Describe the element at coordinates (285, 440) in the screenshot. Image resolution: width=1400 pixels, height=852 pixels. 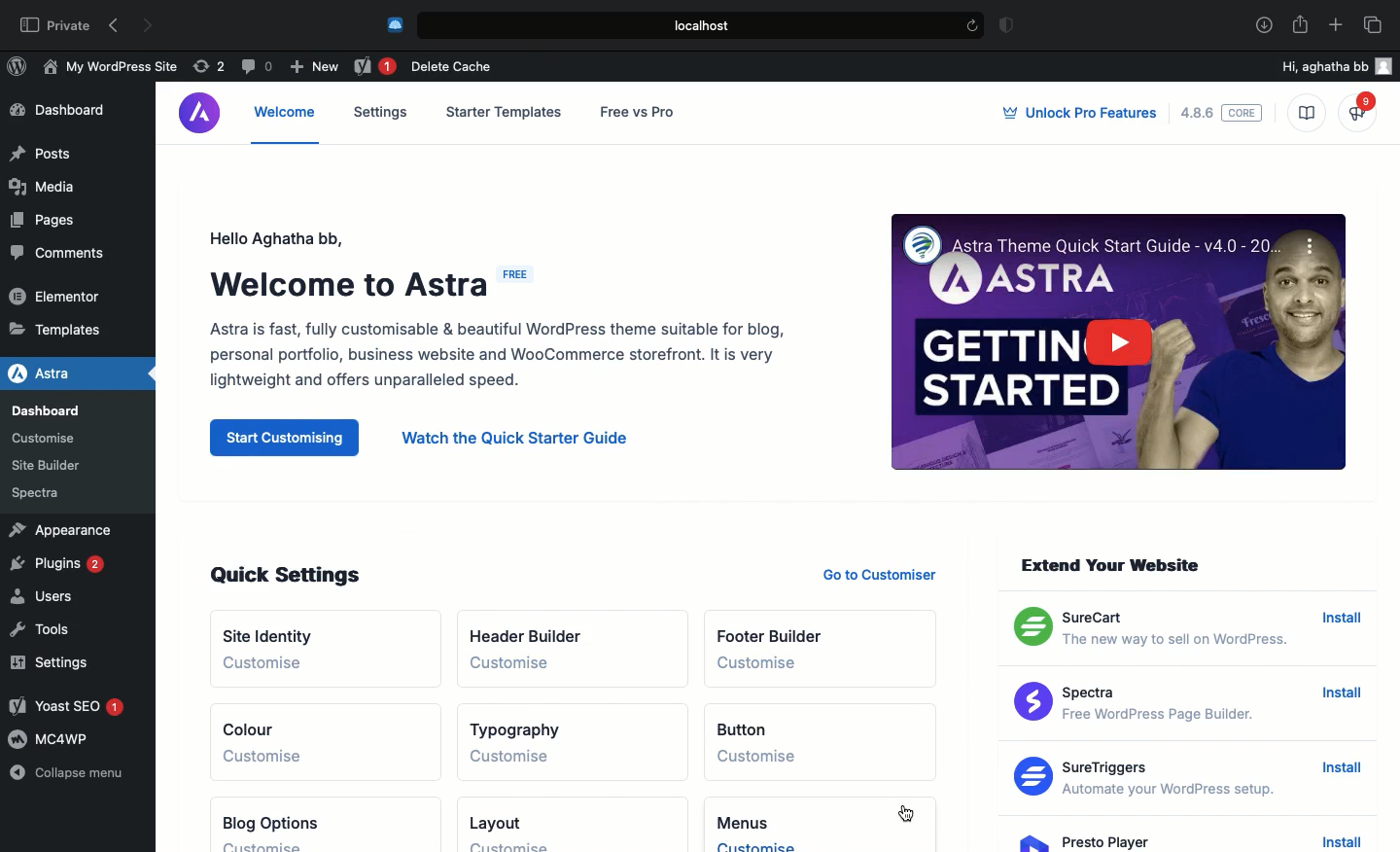
I see `Start customizing` at that location.